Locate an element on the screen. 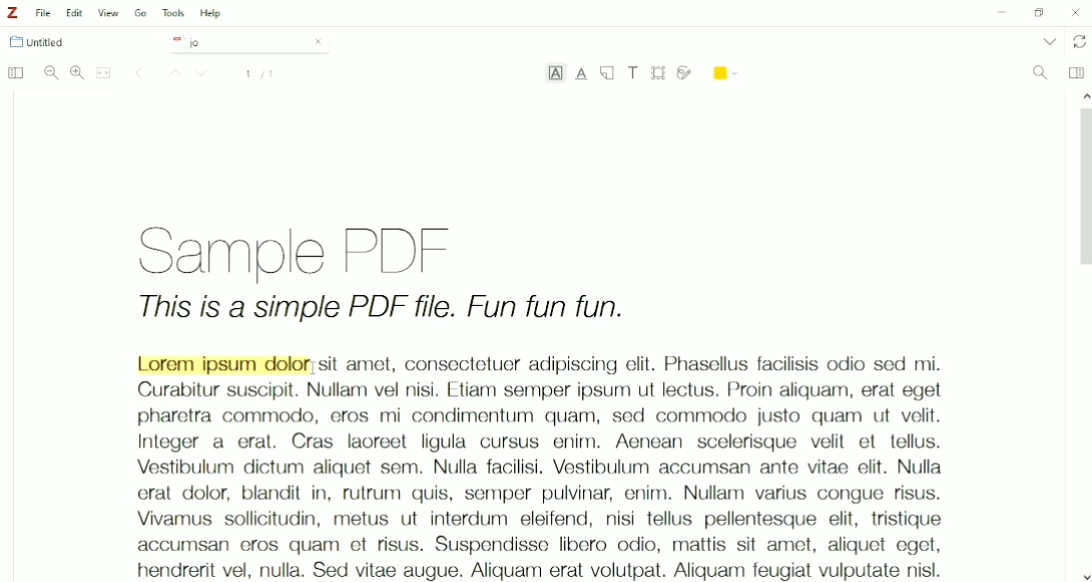  Toggle Sidebar is located at coordinates (14, 74).